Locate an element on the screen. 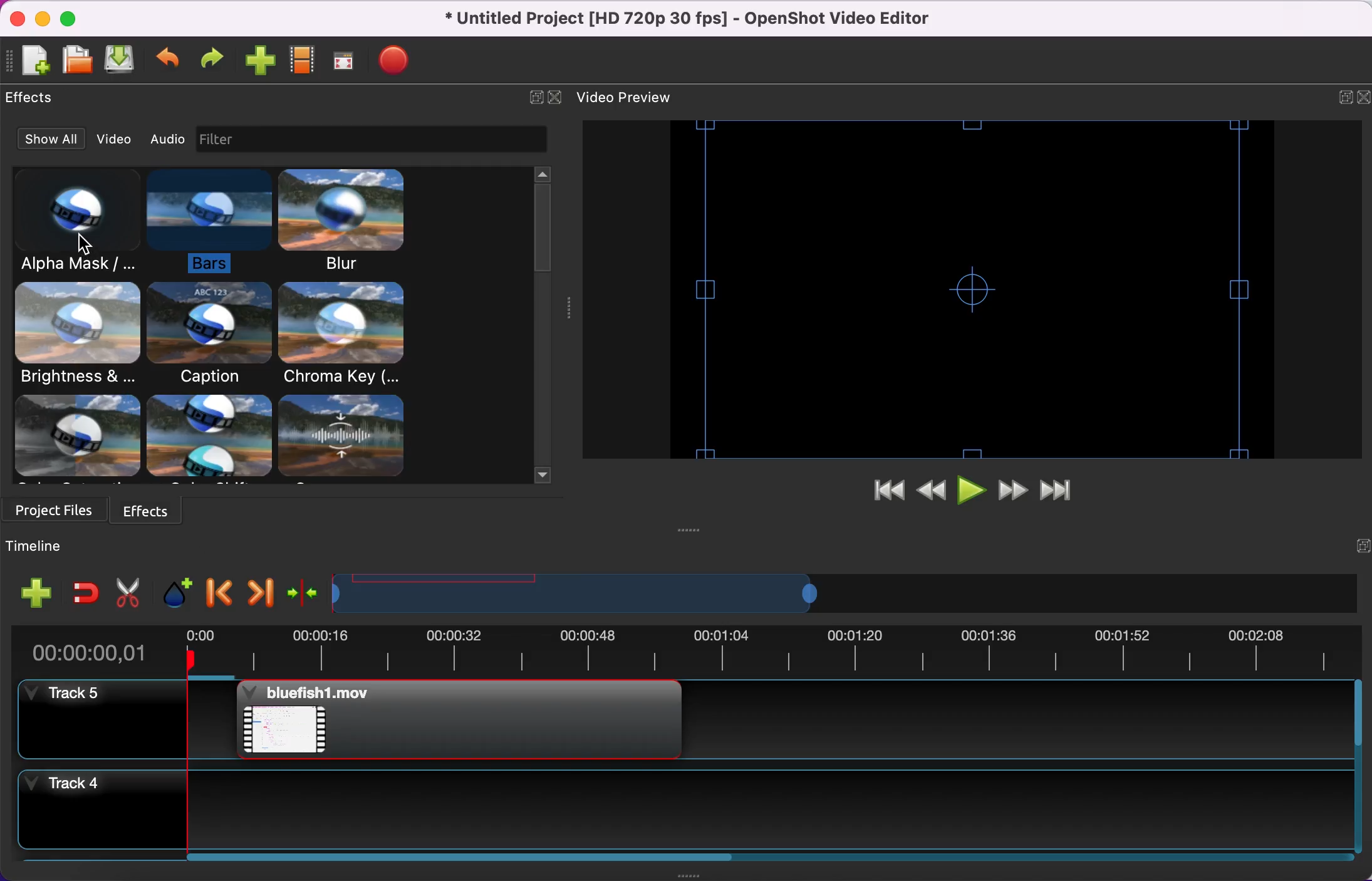  Cursor is located at coordinates (86, 242).